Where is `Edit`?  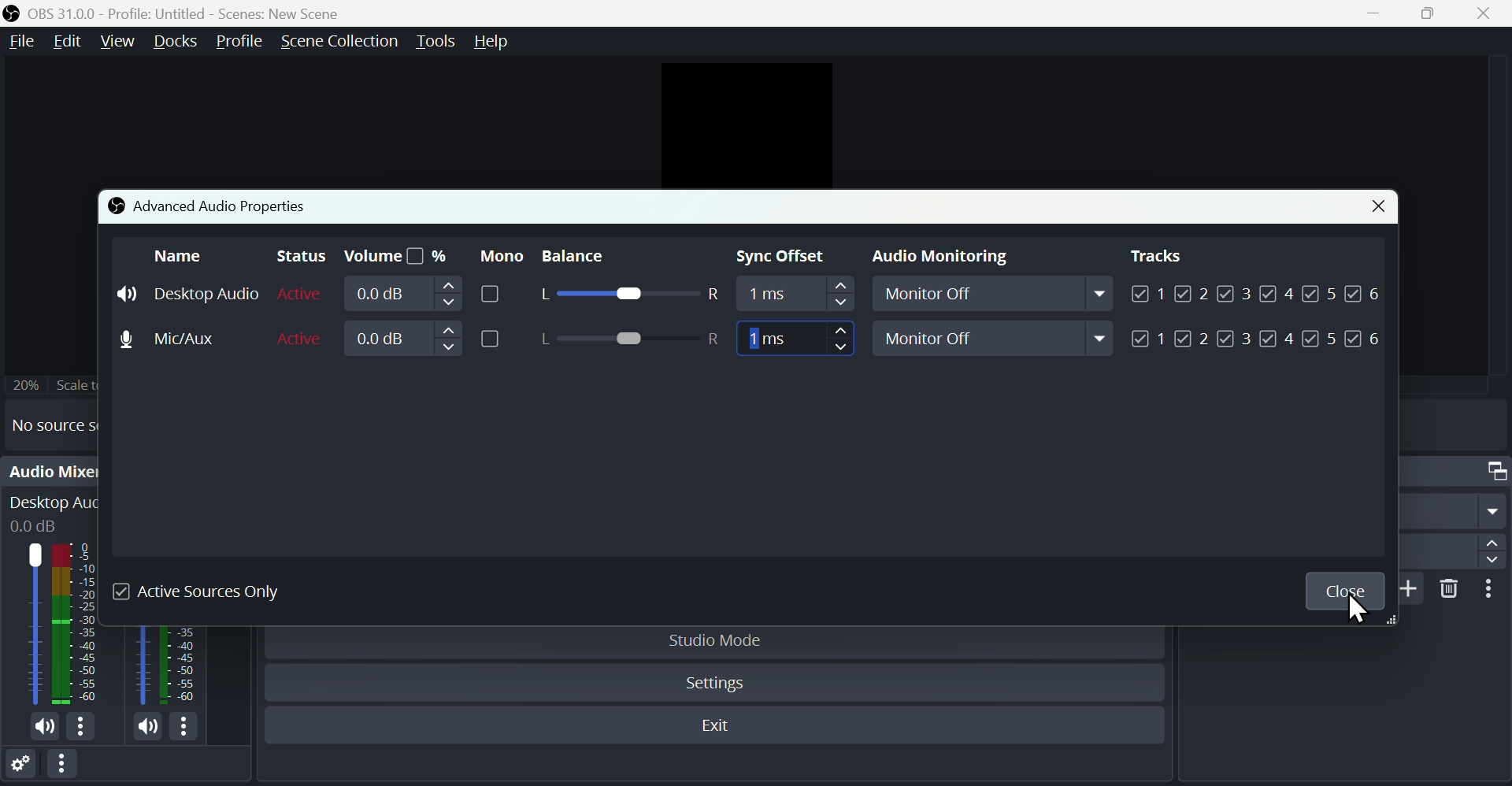
Edit is located at coordinates (66, 41).